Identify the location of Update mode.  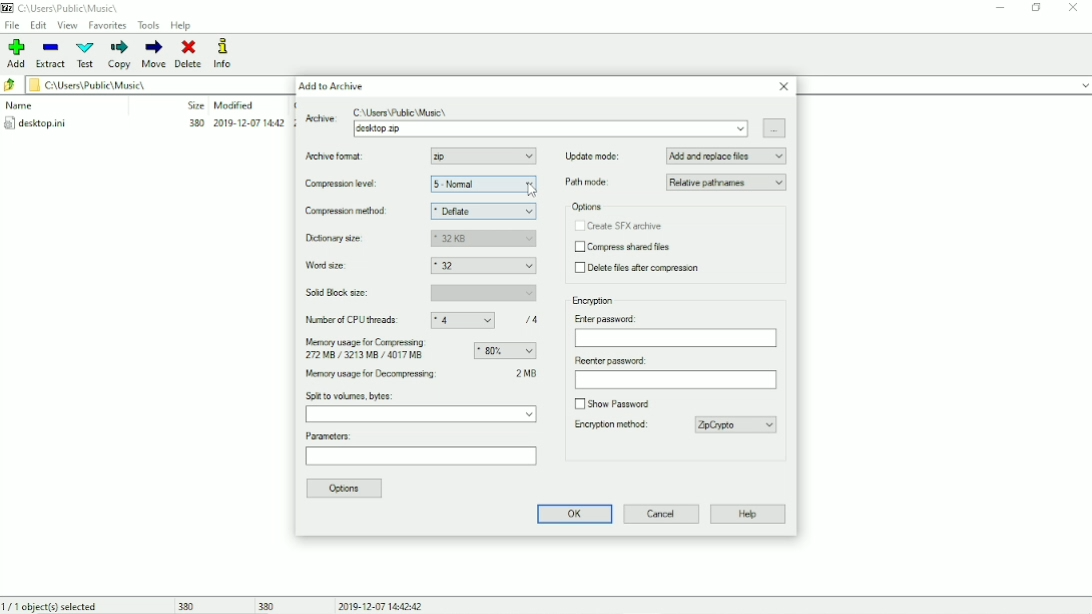
(676, 155).